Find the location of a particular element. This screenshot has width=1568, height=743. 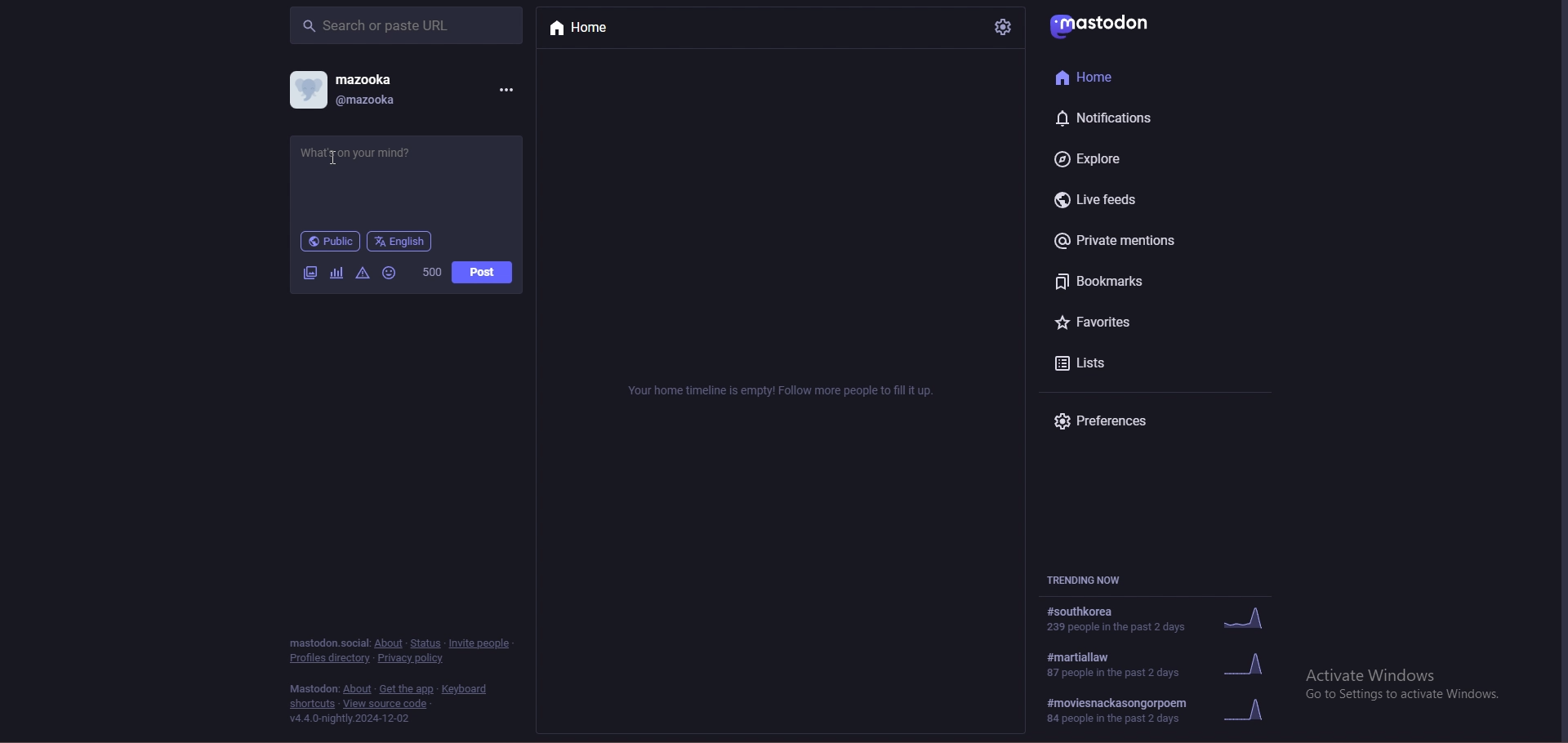

favorites is located at coordinates (1114, 324).